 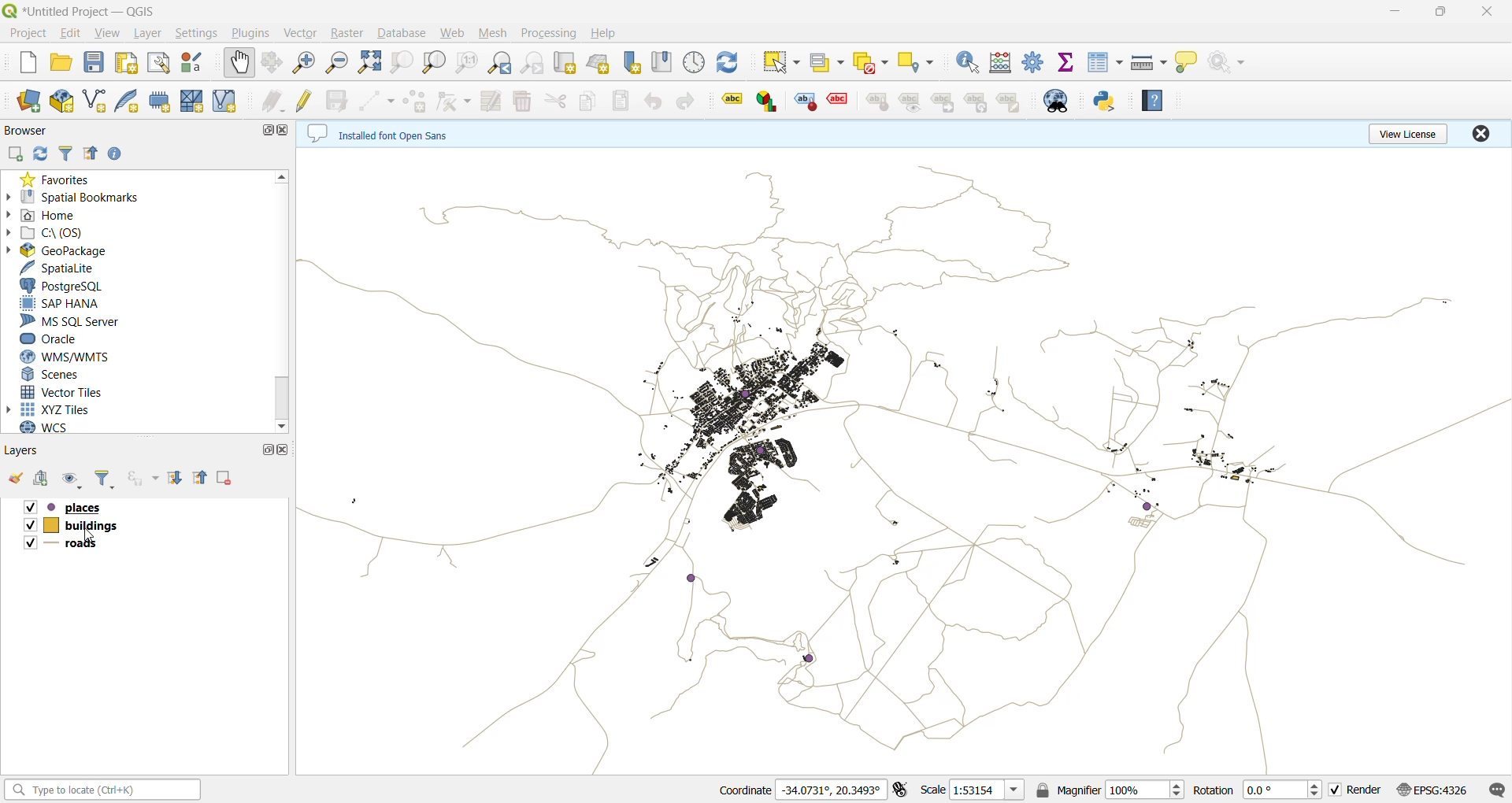 I want to click on sap  hana, so click(x=61, y=305).